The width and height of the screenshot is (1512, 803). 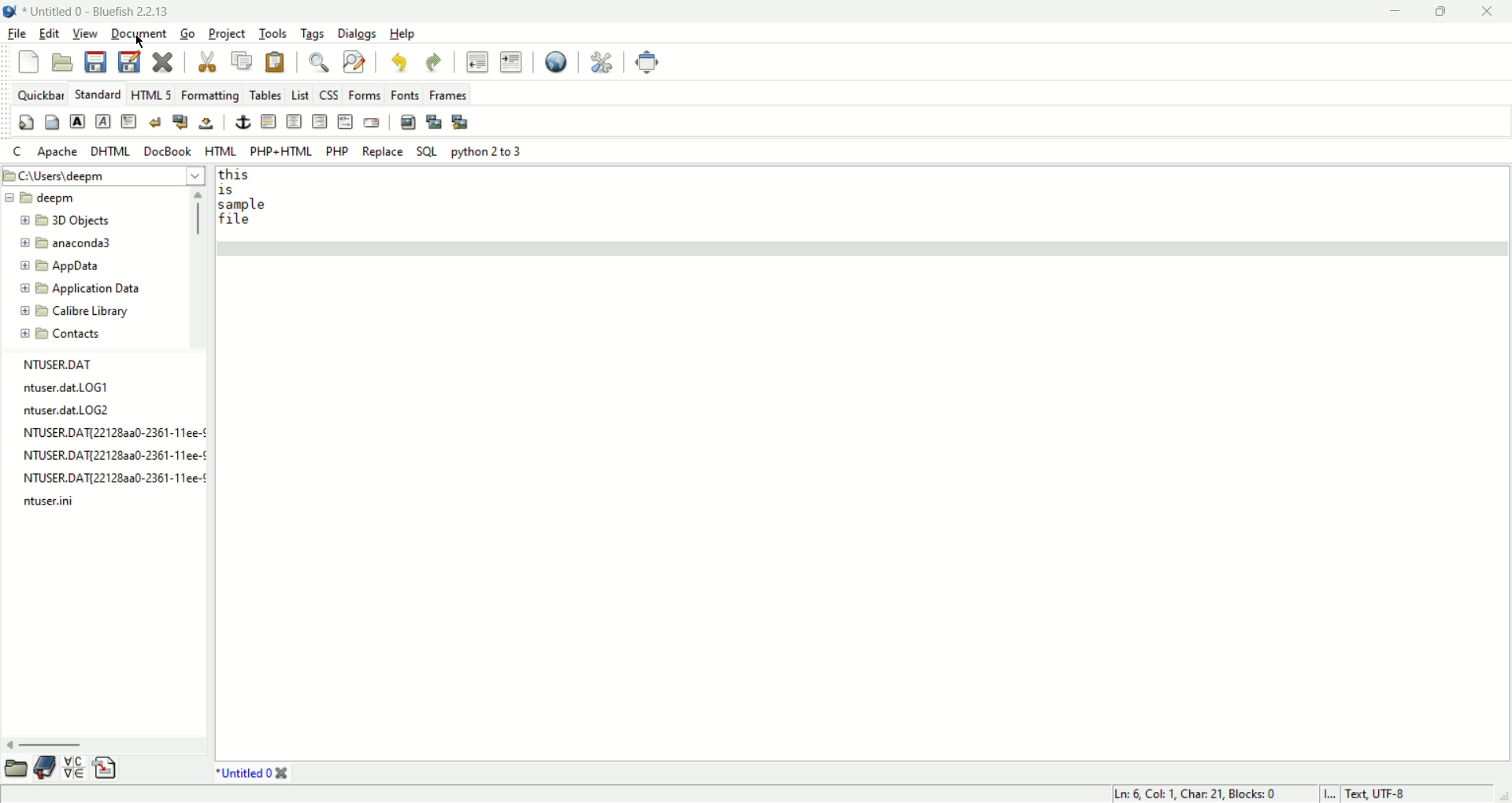 I want to click on project, so click(x=228, y=33).